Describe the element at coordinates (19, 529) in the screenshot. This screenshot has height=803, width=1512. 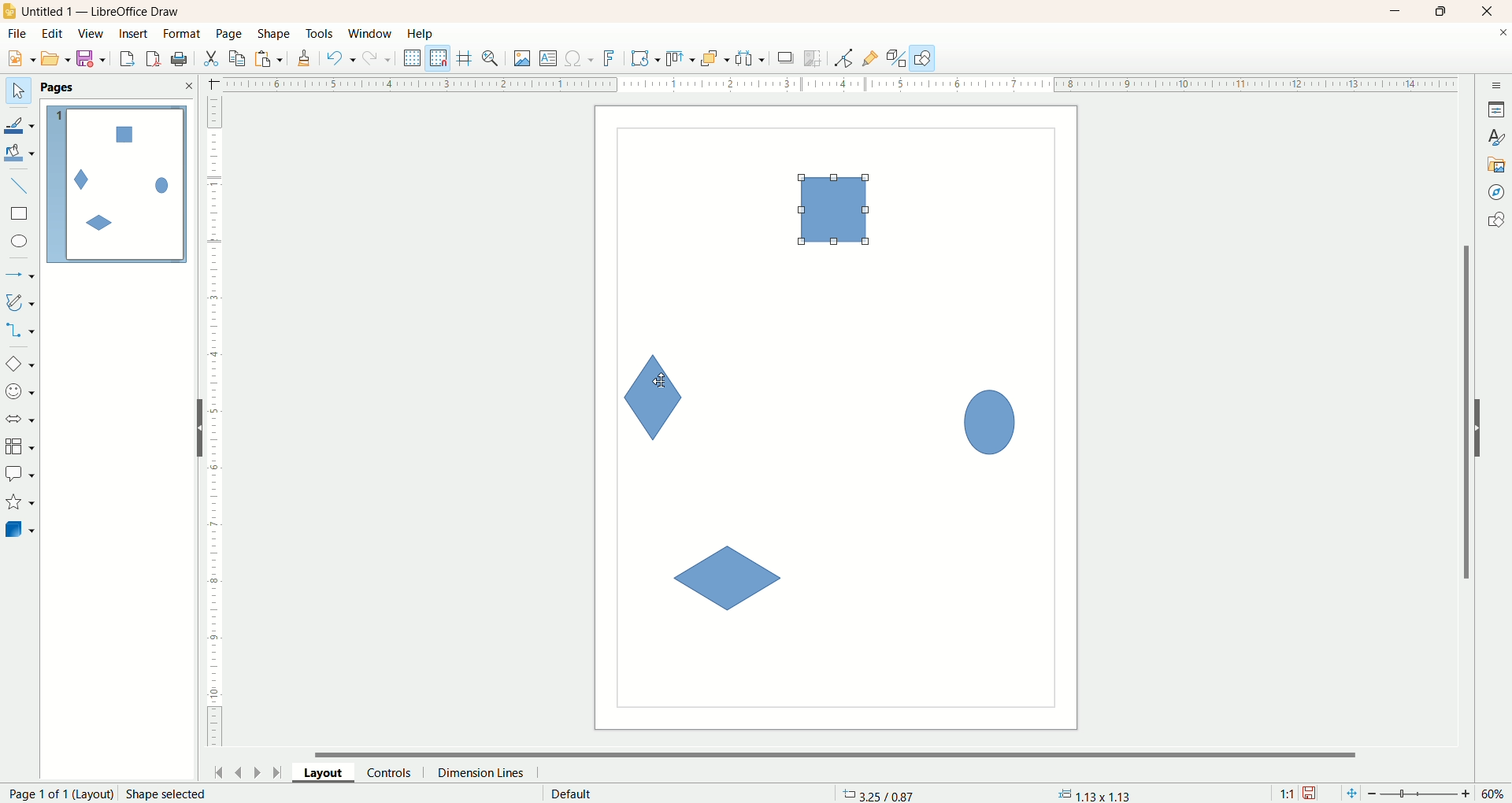
I see `3dD object` at that location.